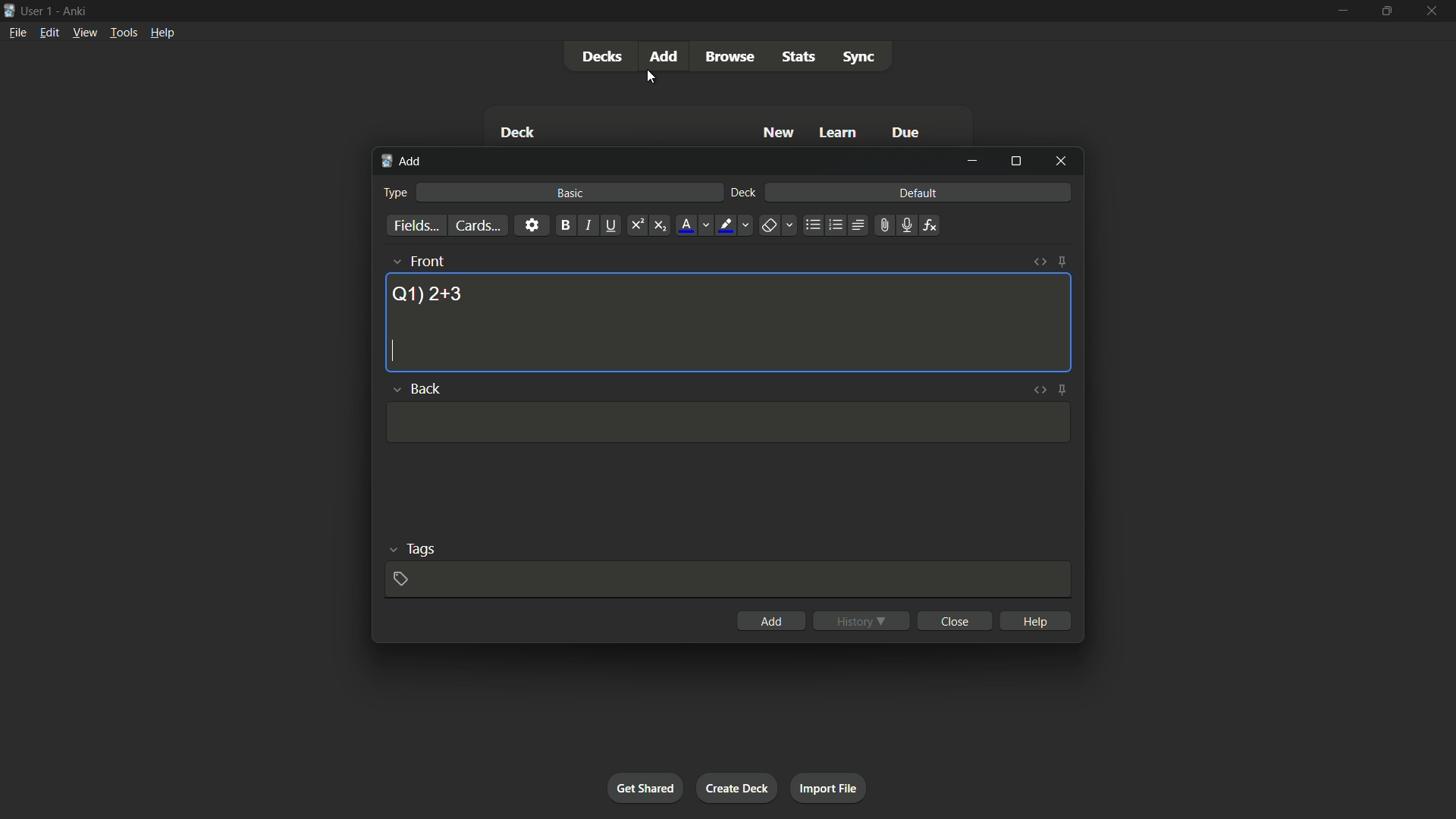  What do you see at coordinates (687, 225) in the screenshot?
I see `font color` at bounding box center [687, 225].